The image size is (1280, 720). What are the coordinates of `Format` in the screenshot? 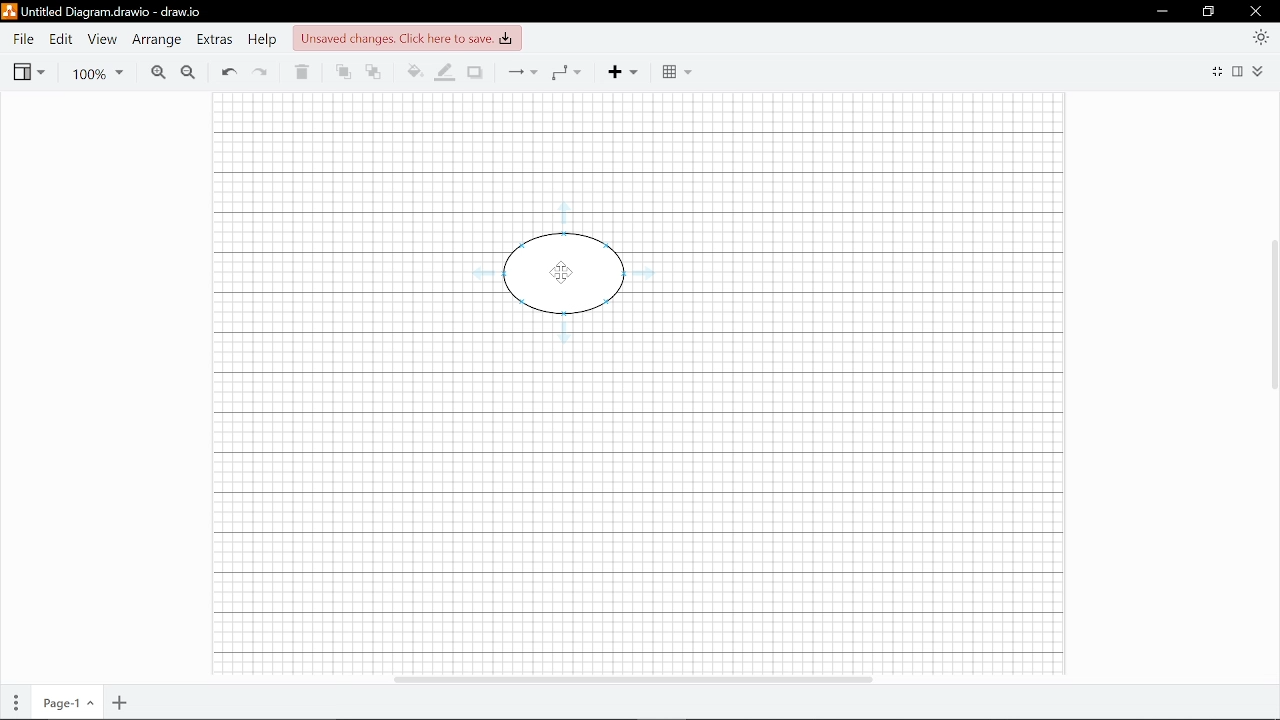 It's located at (1240, 71).